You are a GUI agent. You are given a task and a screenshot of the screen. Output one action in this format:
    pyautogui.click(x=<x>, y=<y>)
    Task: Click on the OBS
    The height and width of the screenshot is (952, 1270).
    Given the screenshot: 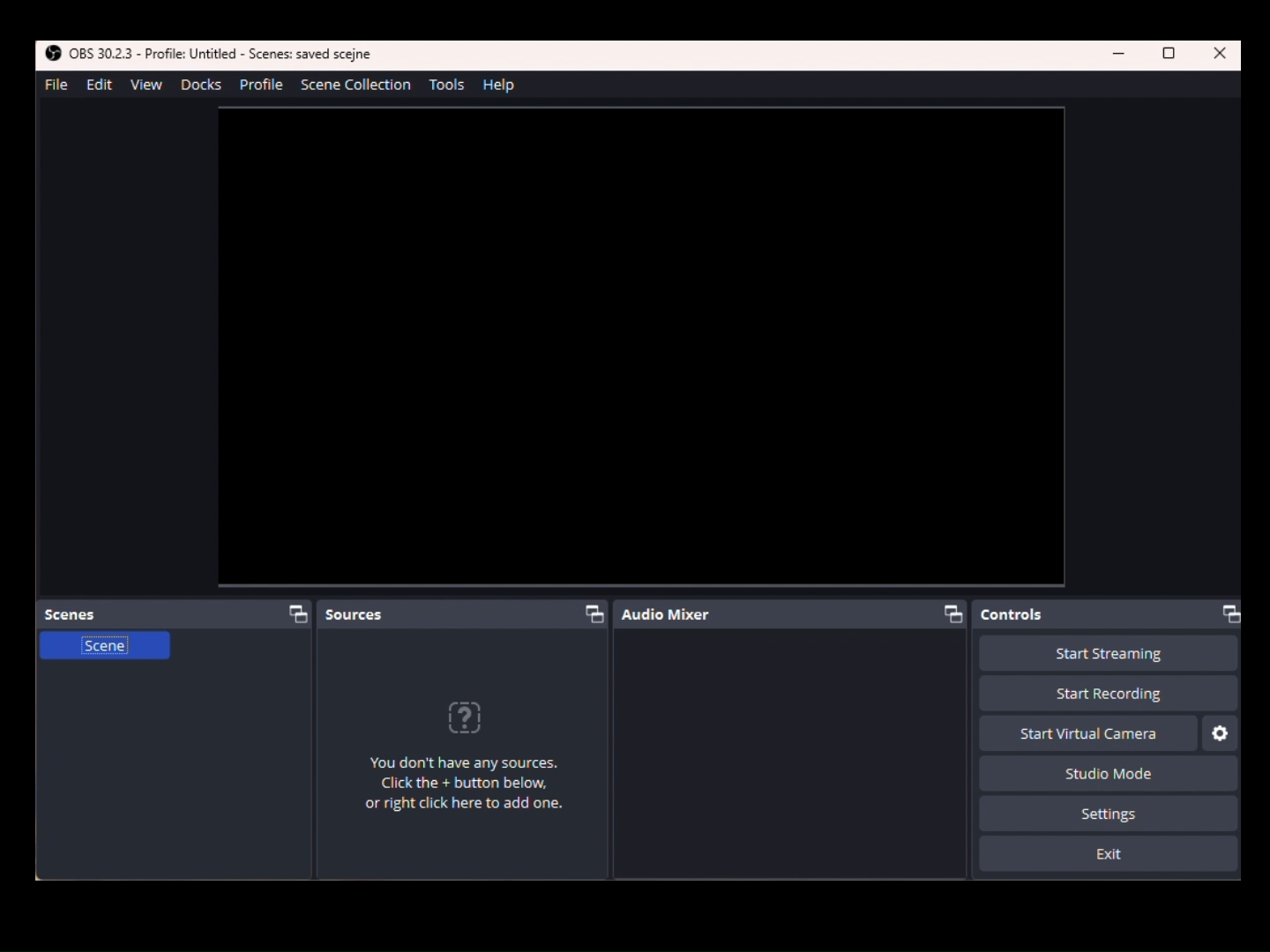 What is the action you would take?
    pyautogui.click(x=89, y=55)
    